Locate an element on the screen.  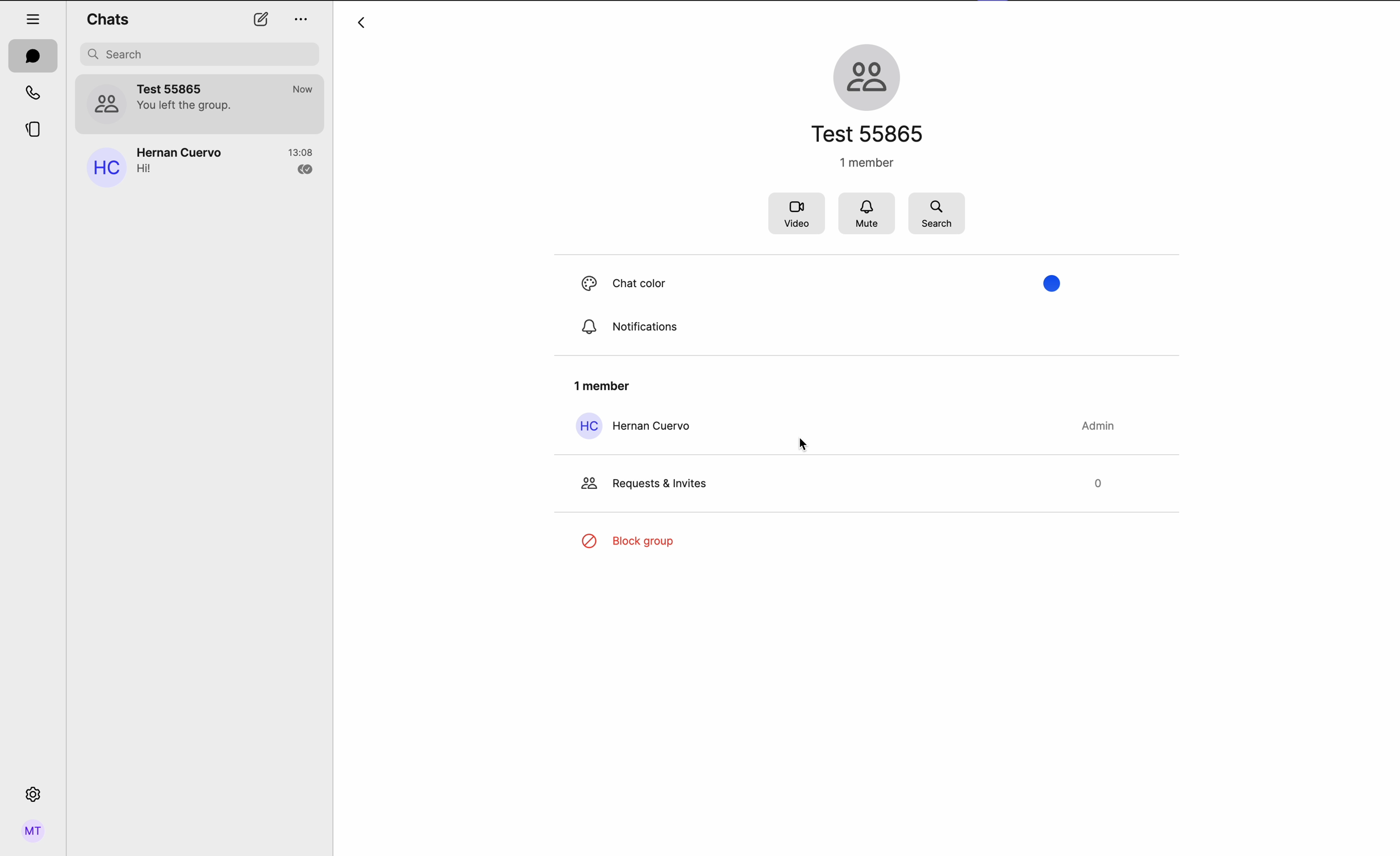
video button is located at coordinates (795, 215).